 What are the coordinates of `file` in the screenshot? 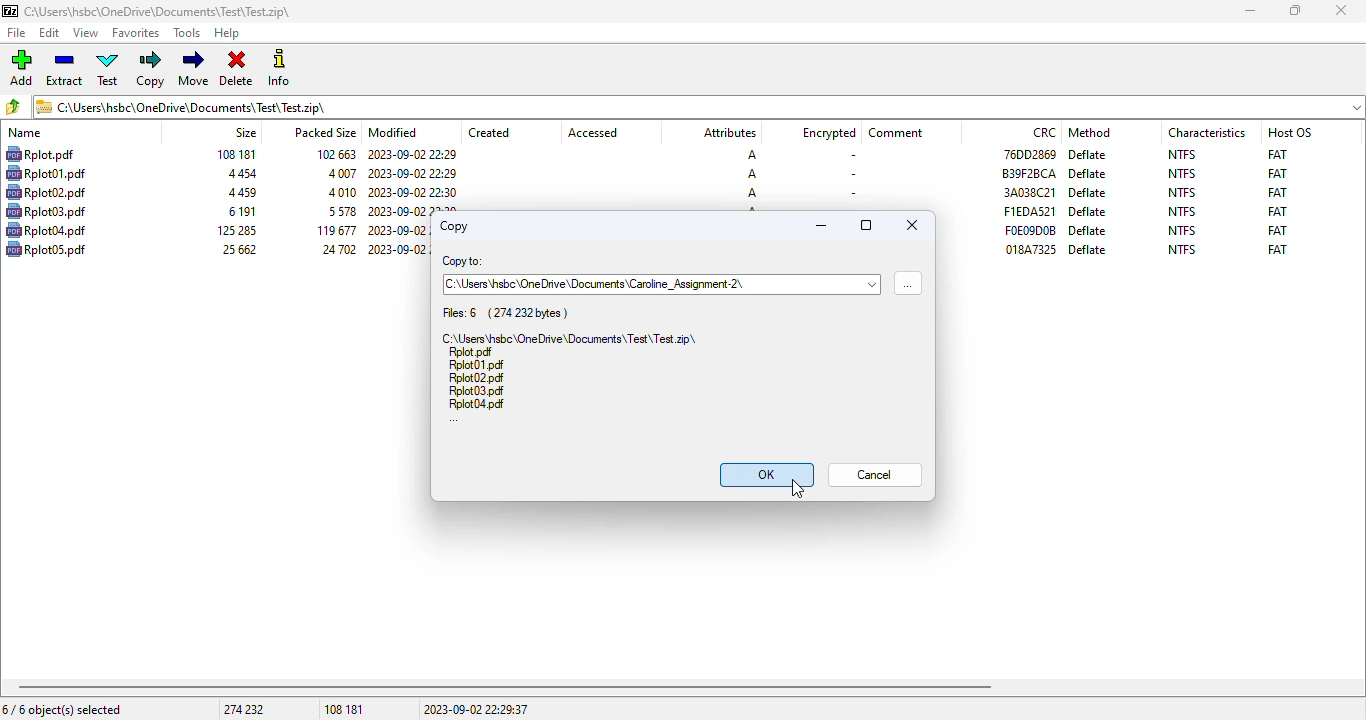 It's located at (477, 404).